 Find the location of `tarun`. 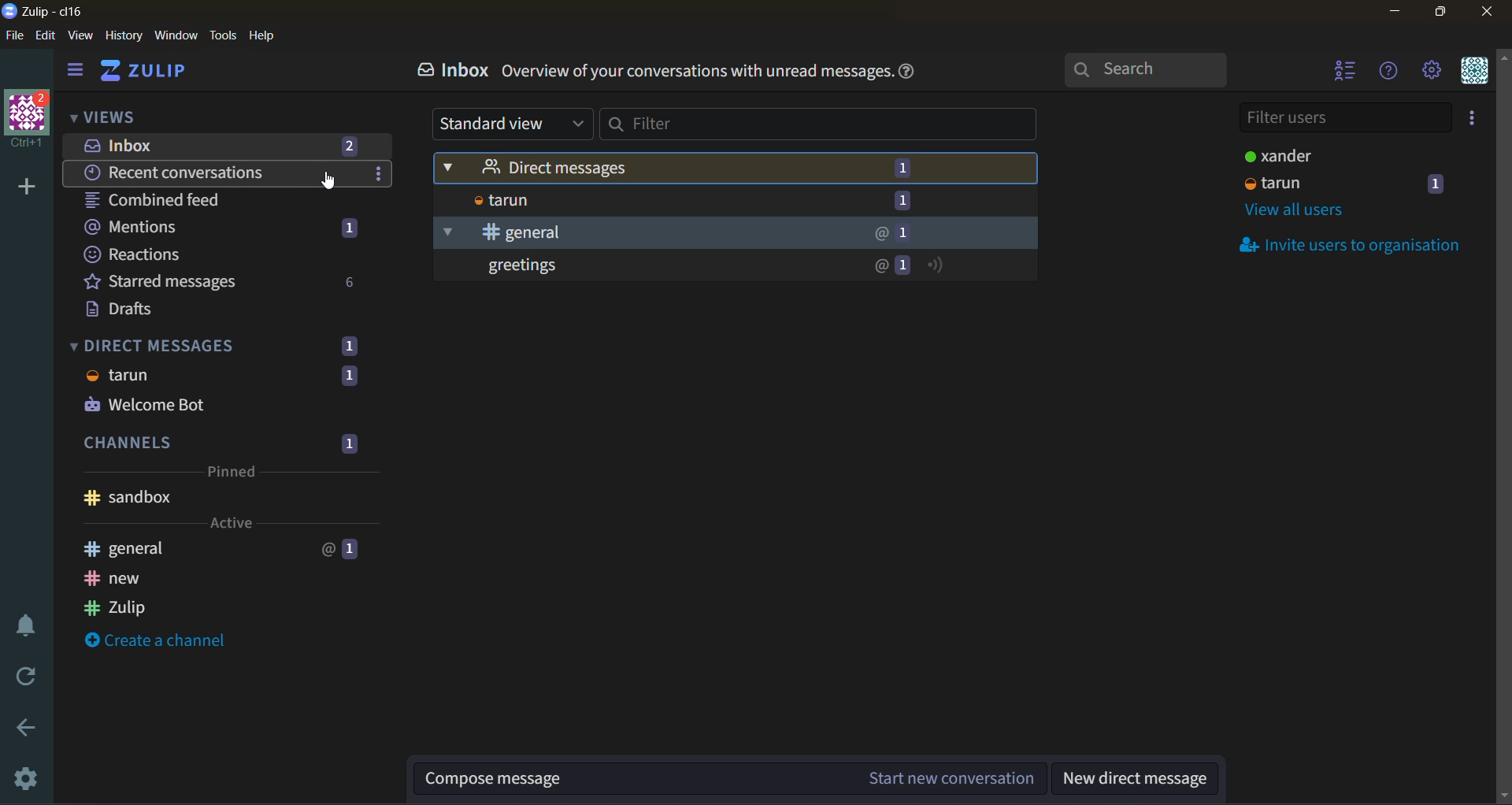

tarun is located at coordinates (222, 377).